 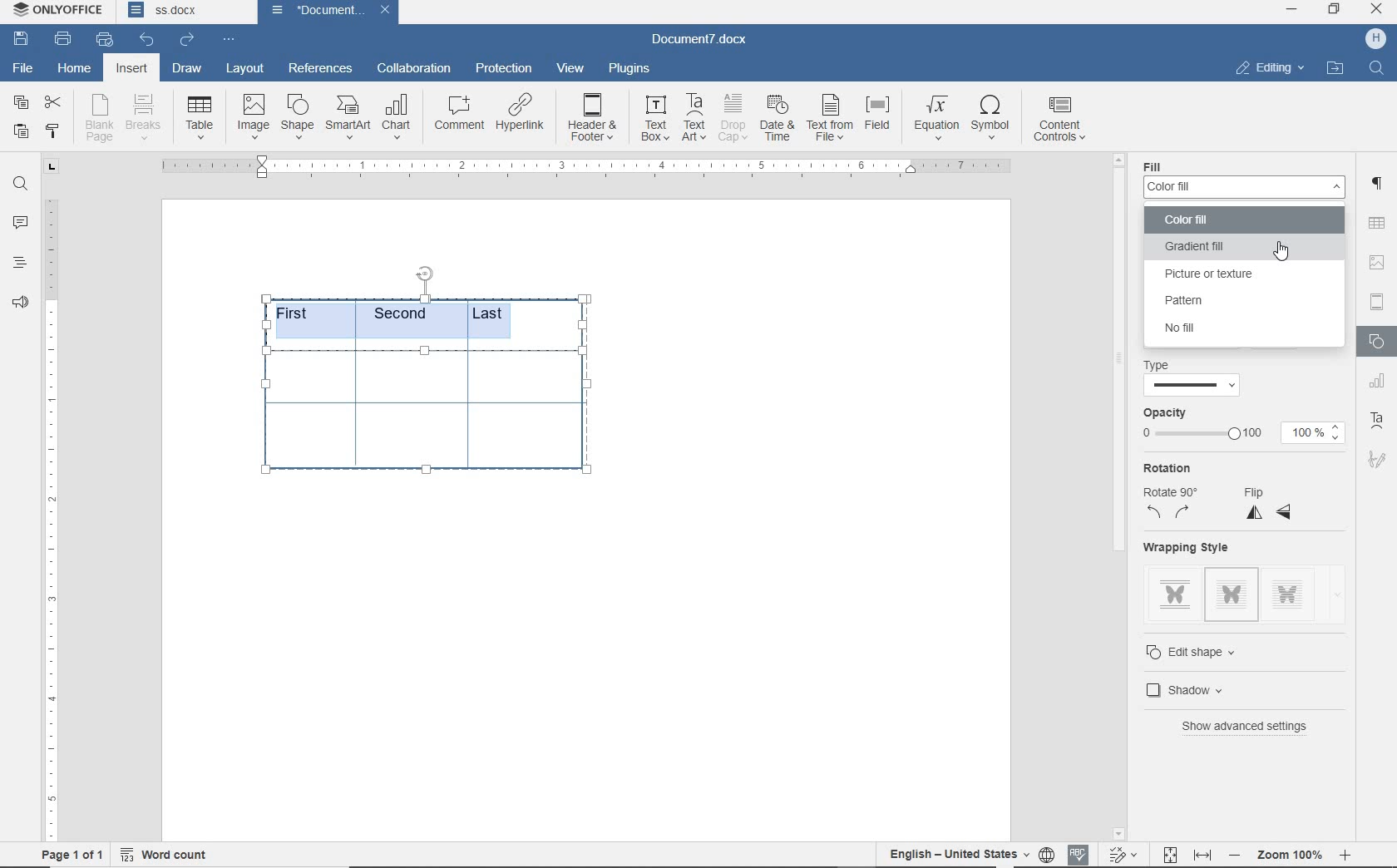 What do you see at coordinates (1258, 727) in the screenshot?
I see `show advanced settings` at bounding box center [1258, 727].